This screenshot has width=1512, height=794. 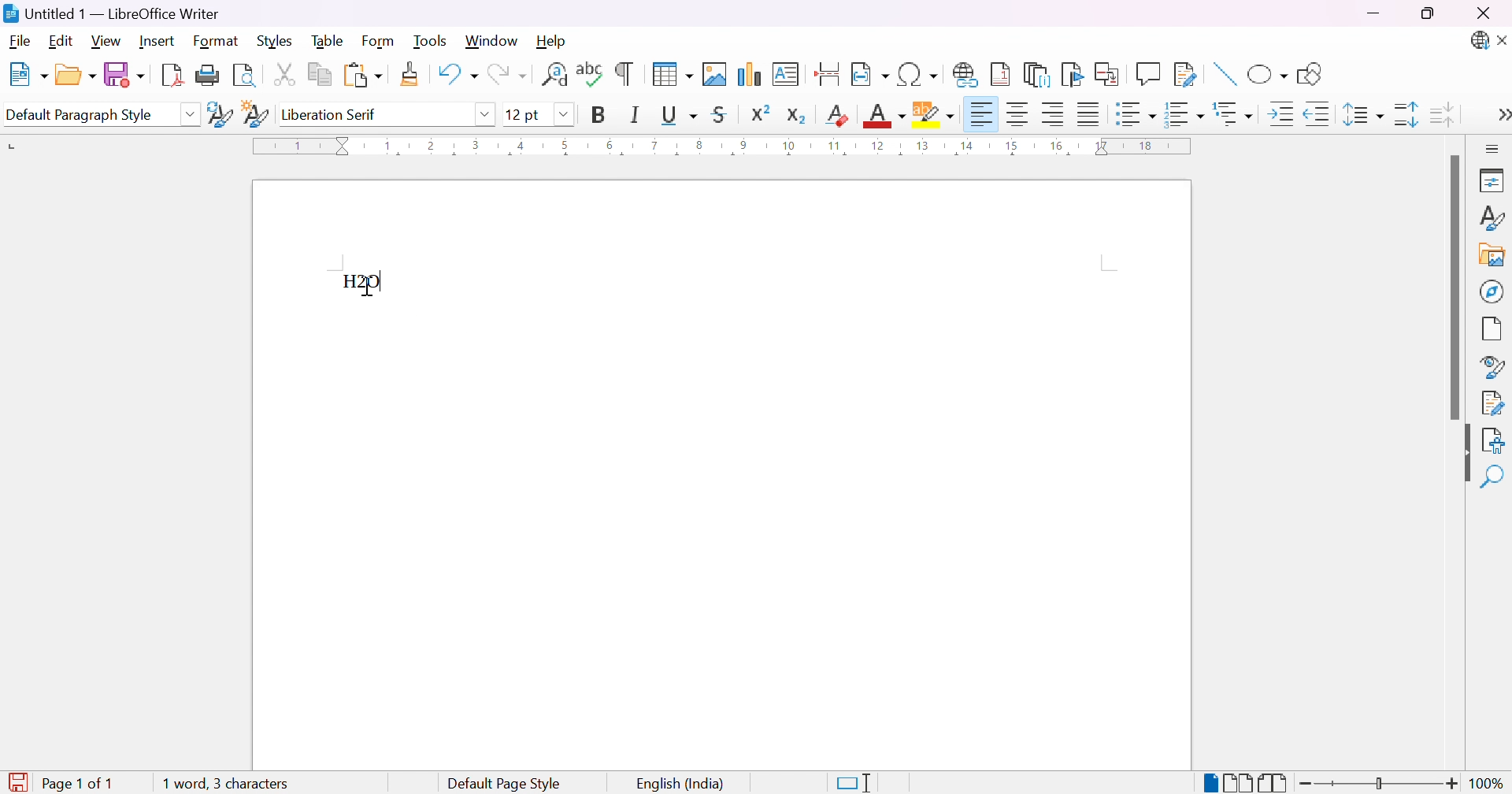 I want to click on Set line spacing, so click(x=1360, y=115).